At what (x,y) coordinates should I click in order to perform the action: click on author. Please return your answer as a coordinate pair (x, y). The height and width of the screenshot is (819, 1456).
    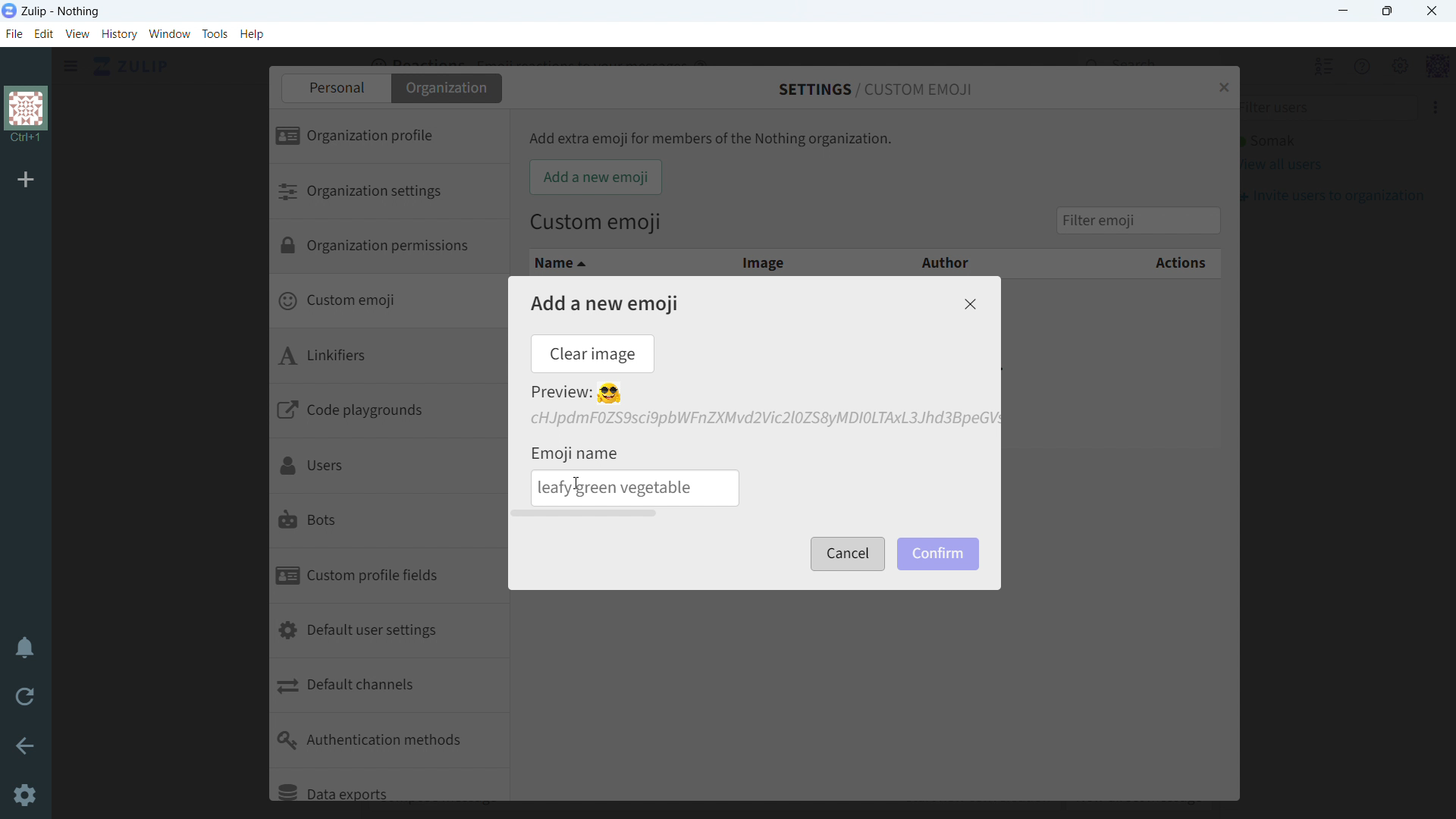
    Looking at the image, I should click on (935, 261).